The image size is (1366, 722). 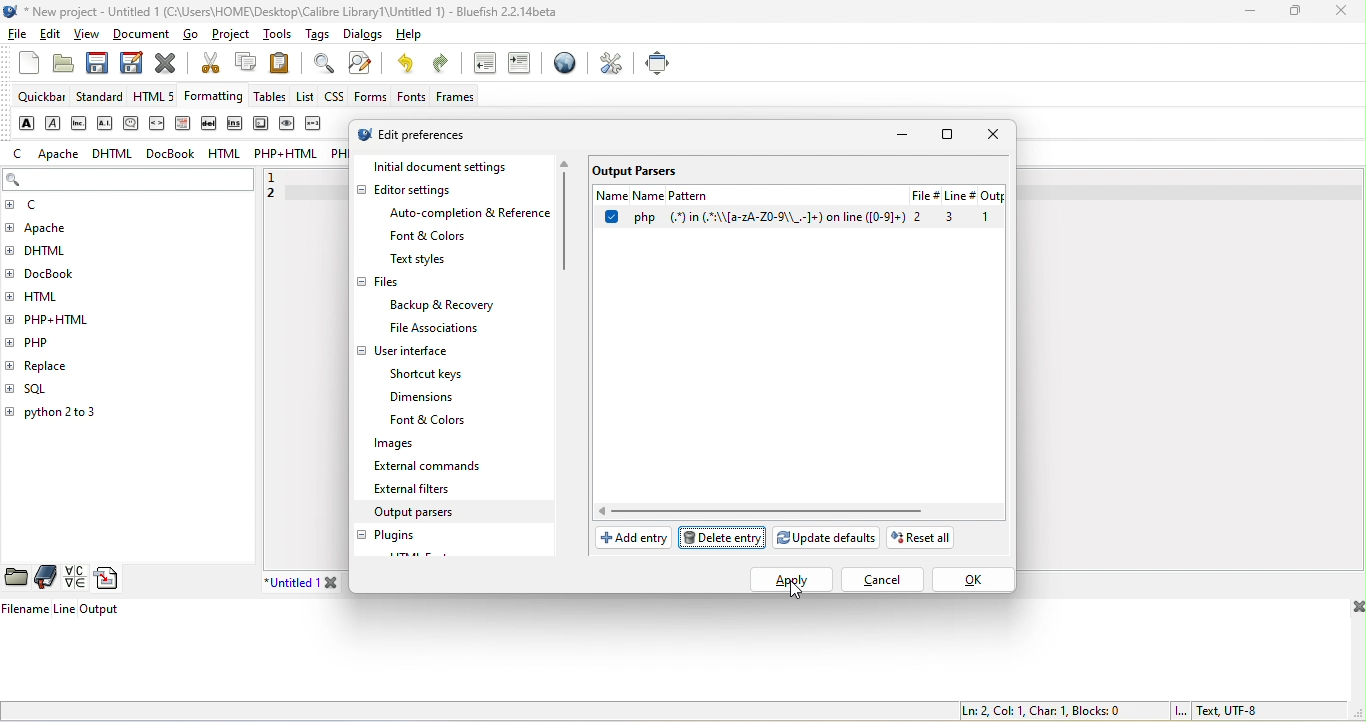 I want to click on name pattern, so click(x=744, y=193).